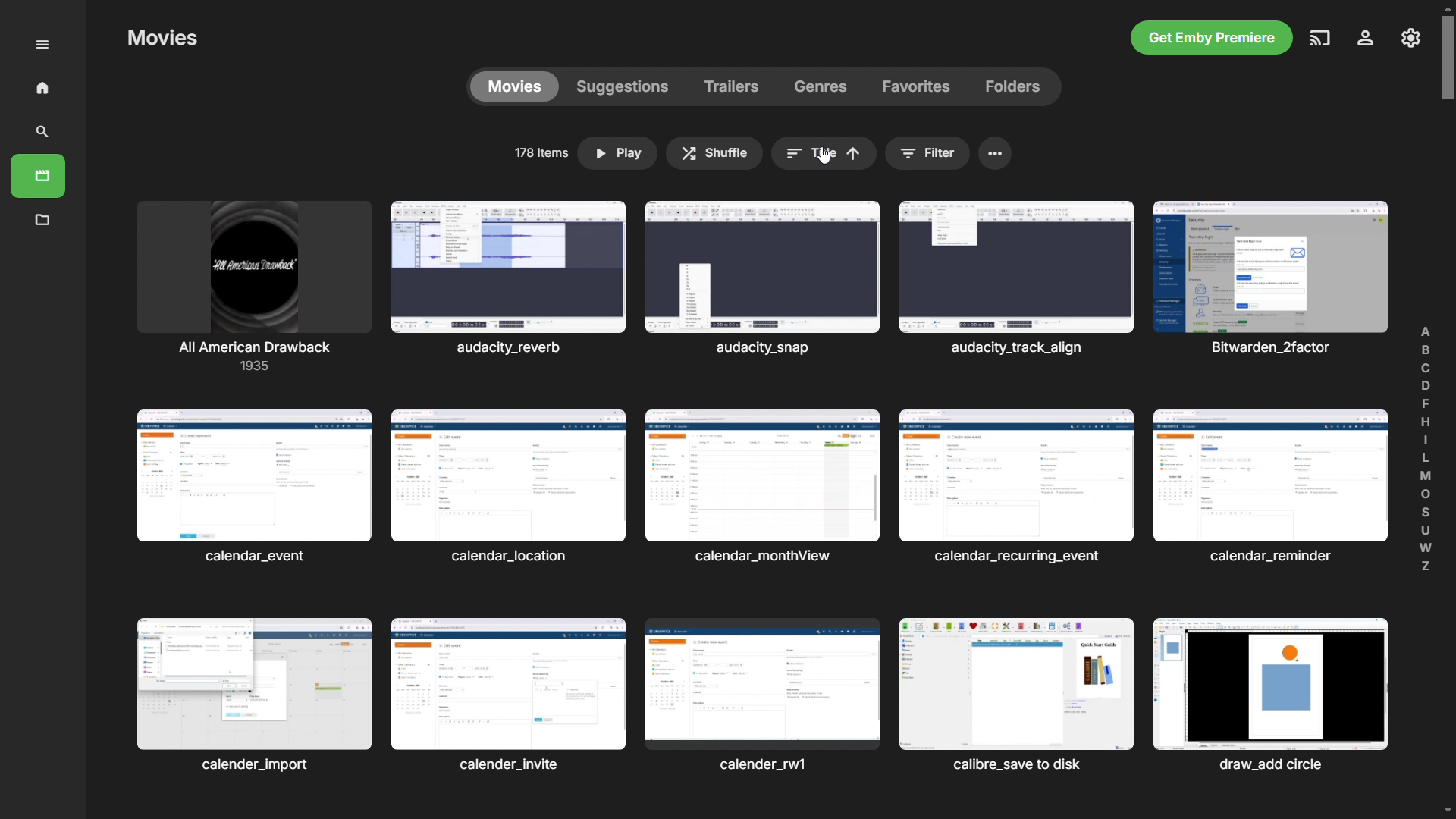 The height and width of the screenshot is (819, 1456). I want to click on , so click(1271, 488).